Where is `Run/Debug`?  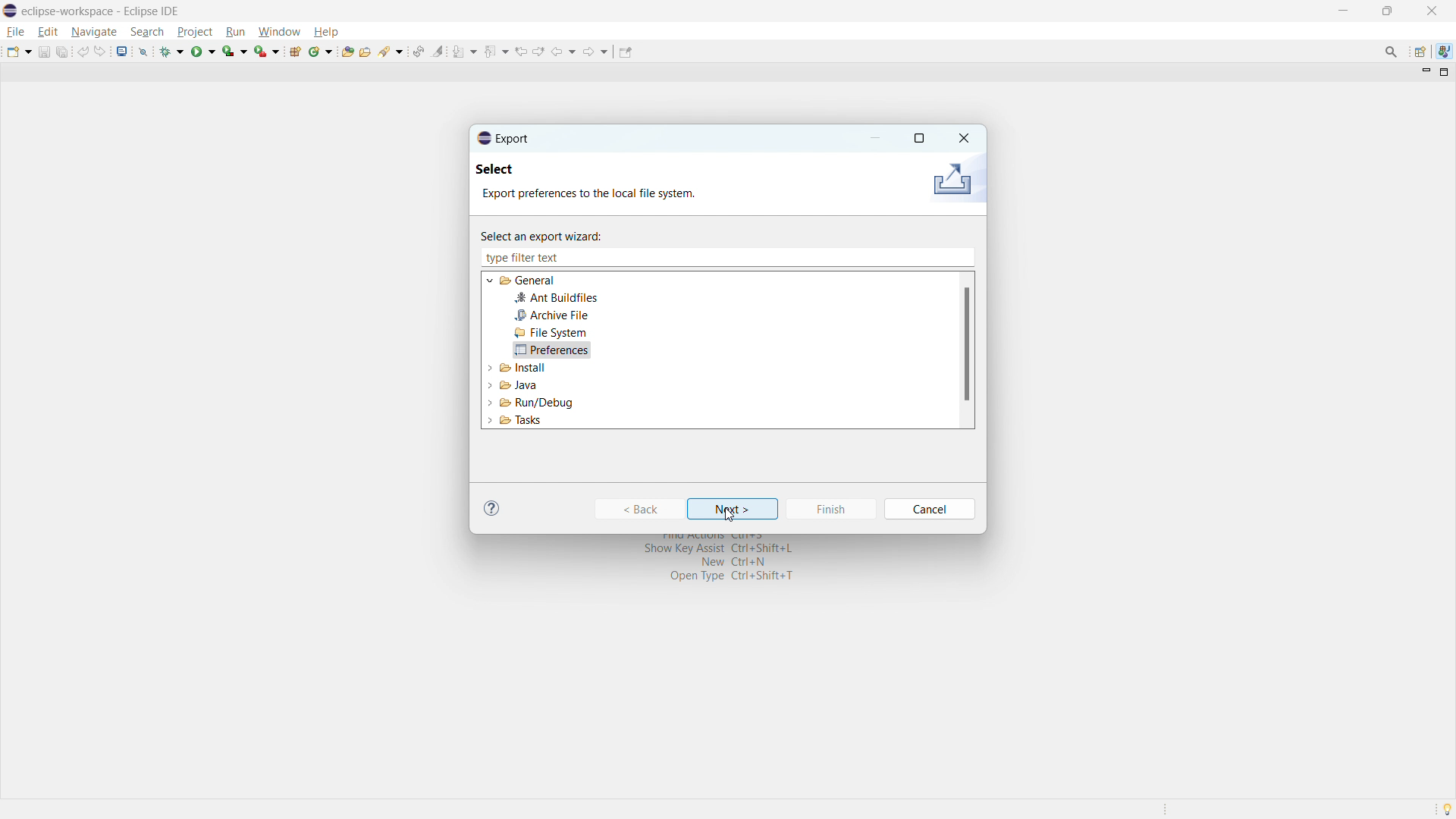 Run/Debug is located at coordinates (526, 402).